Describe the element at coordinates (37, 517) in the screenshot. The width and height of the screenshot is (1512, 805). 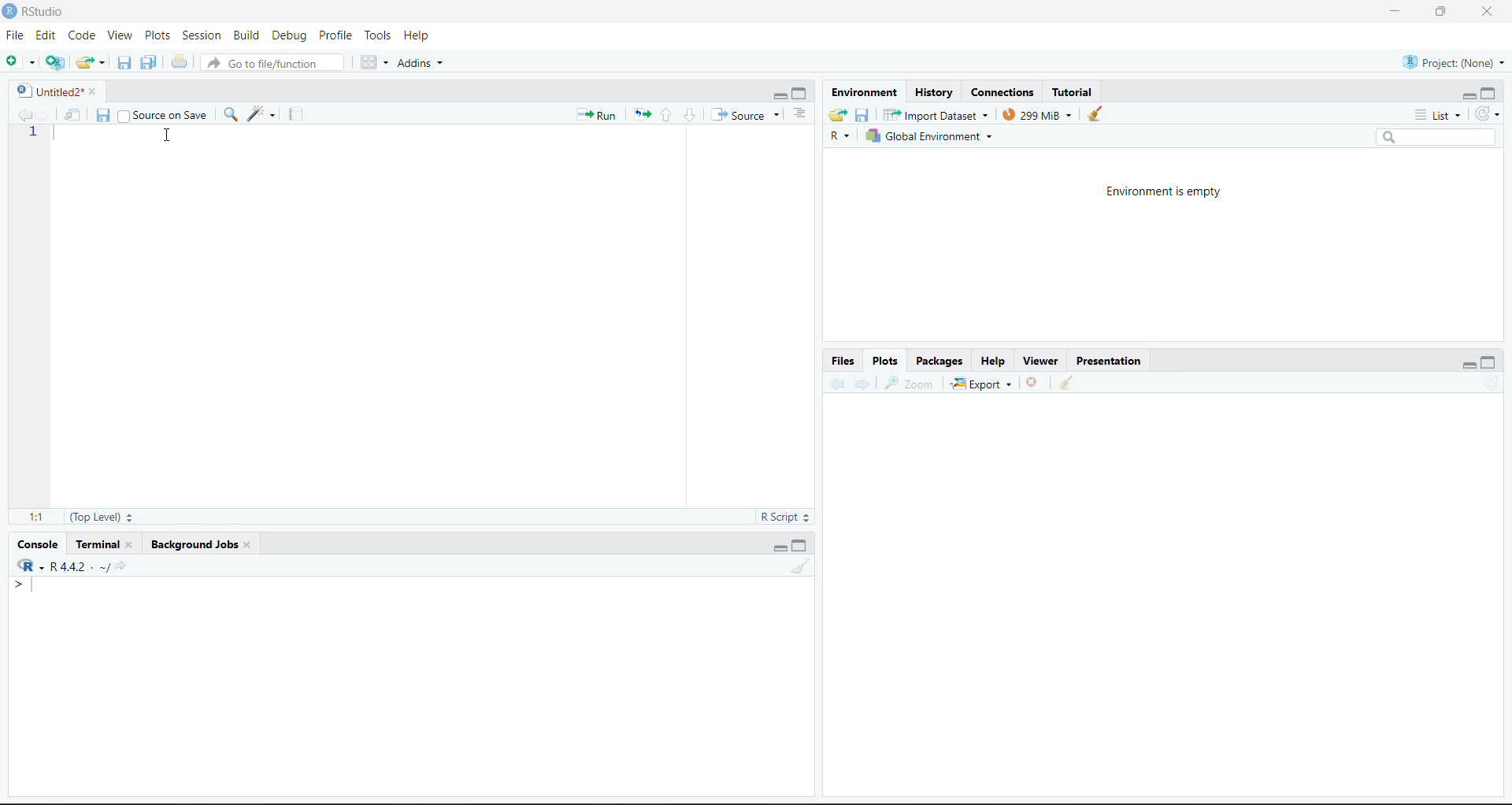
I see `1:1` at that location.